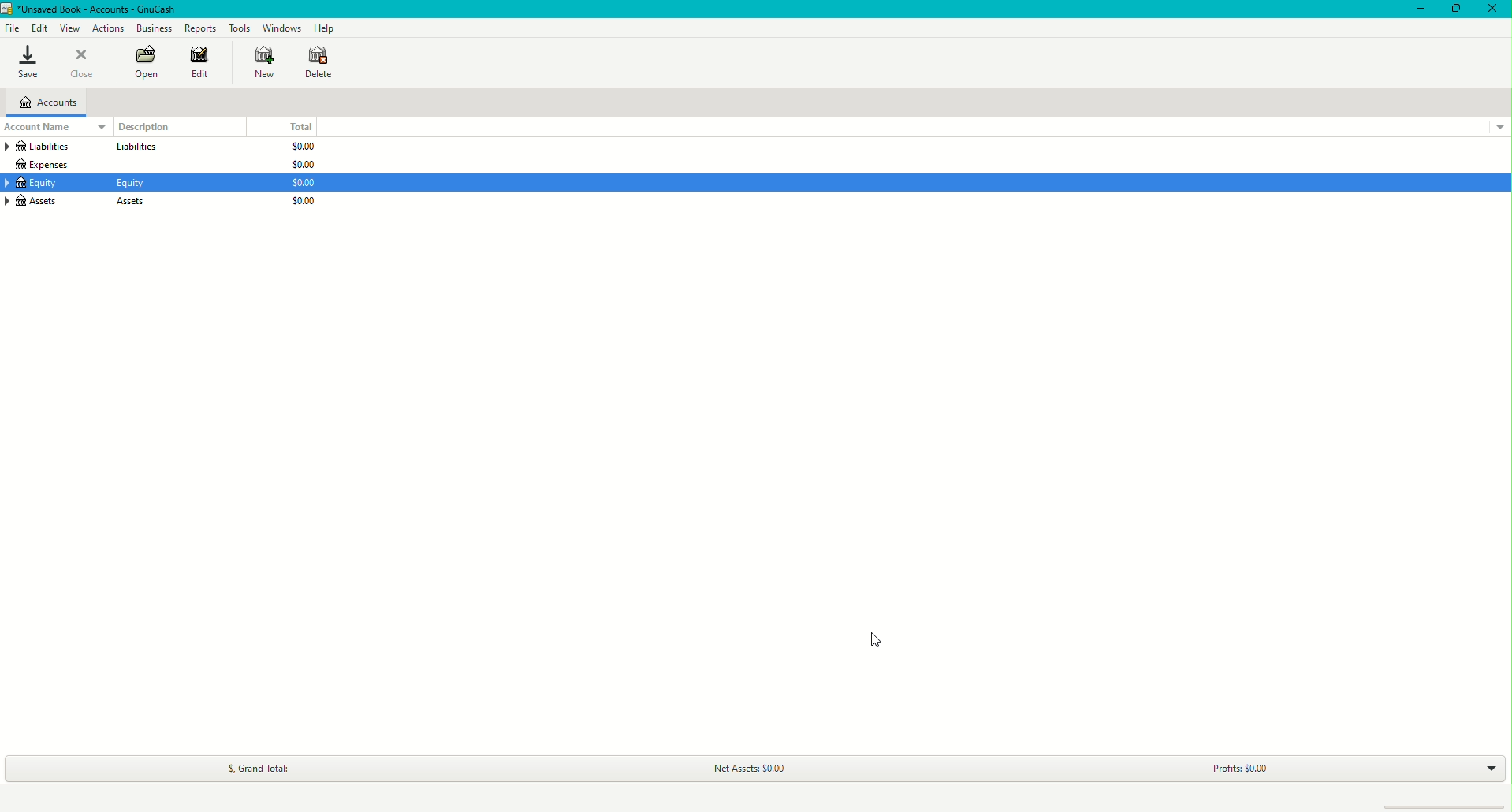 This screenshot has height=812, width=1512. What do you see at coordinates (45, 165) in the screenshot?
I see `Expenses` at bounding box center [45, 165].